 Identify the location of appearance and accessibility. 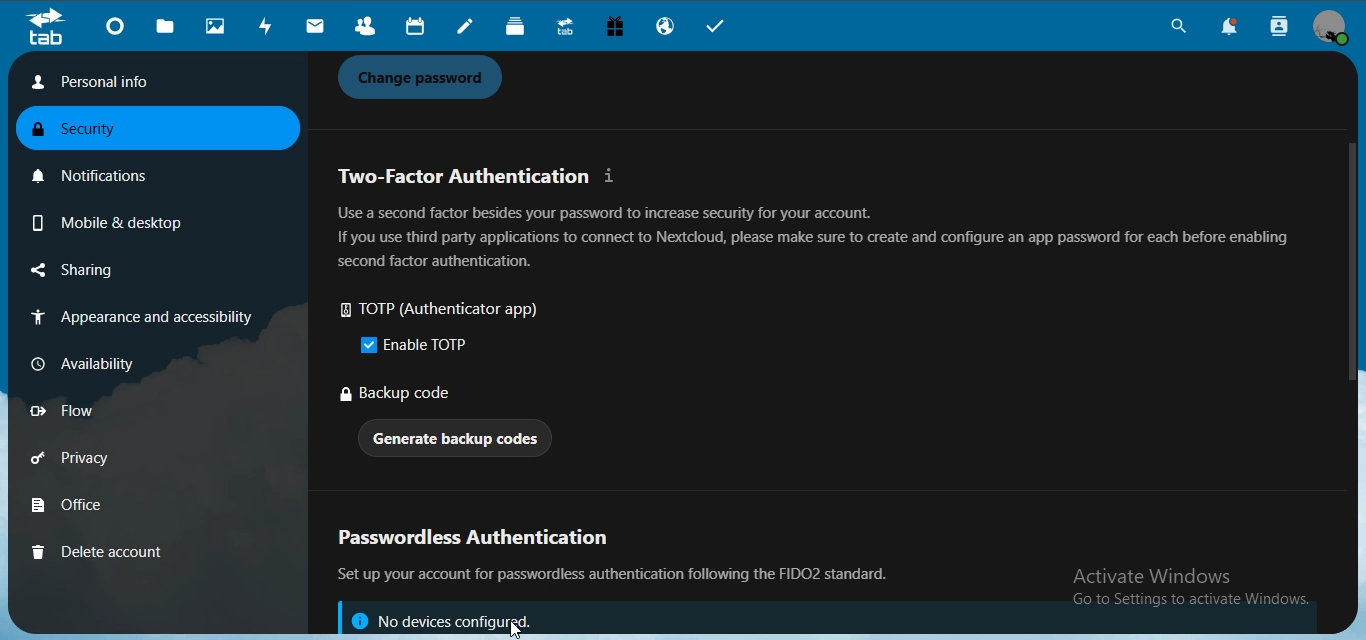
(138, 319).